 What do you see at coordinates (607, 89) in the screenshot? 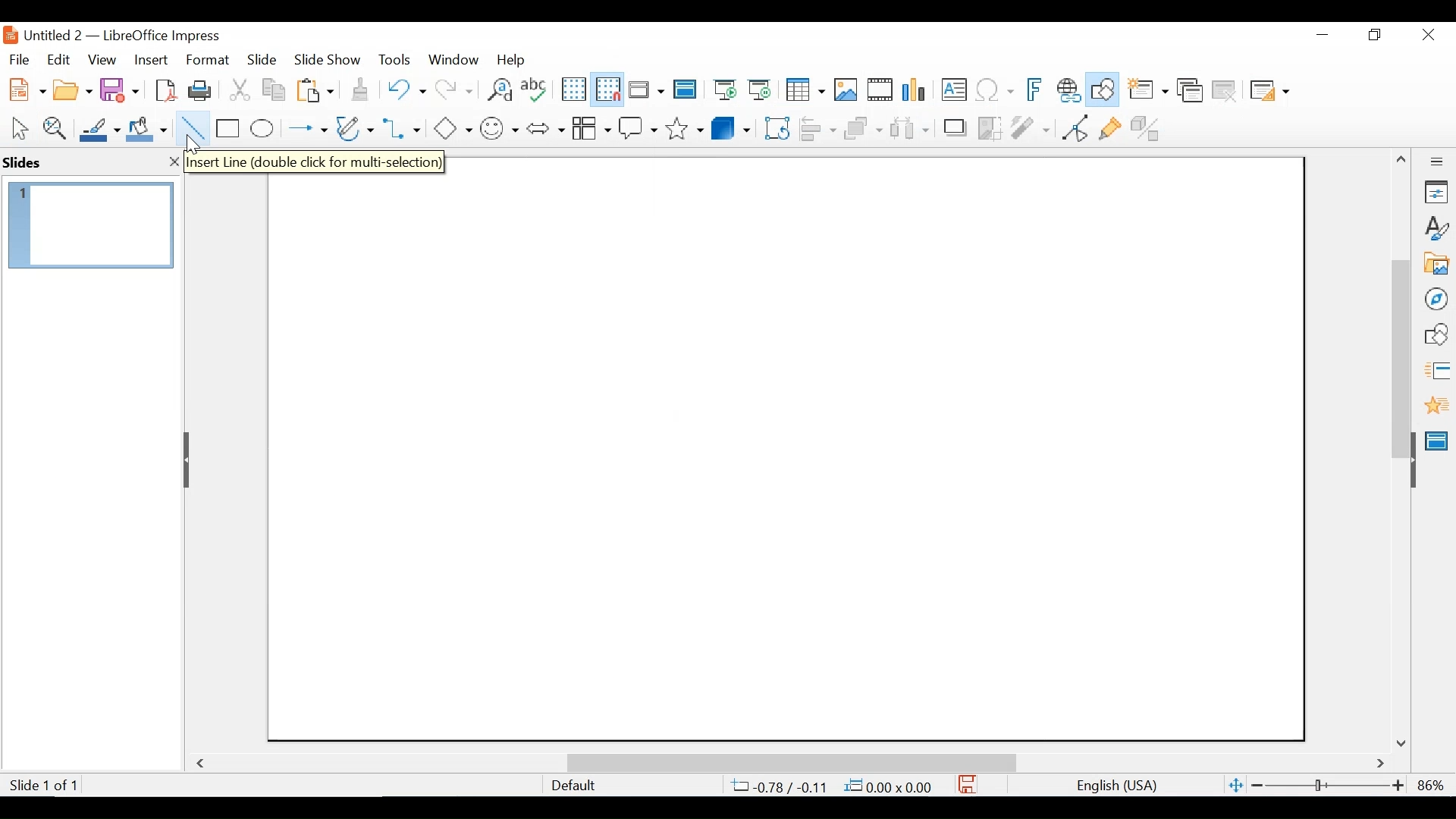
I see `Snap as Grid` at bounding box center [607, 89].